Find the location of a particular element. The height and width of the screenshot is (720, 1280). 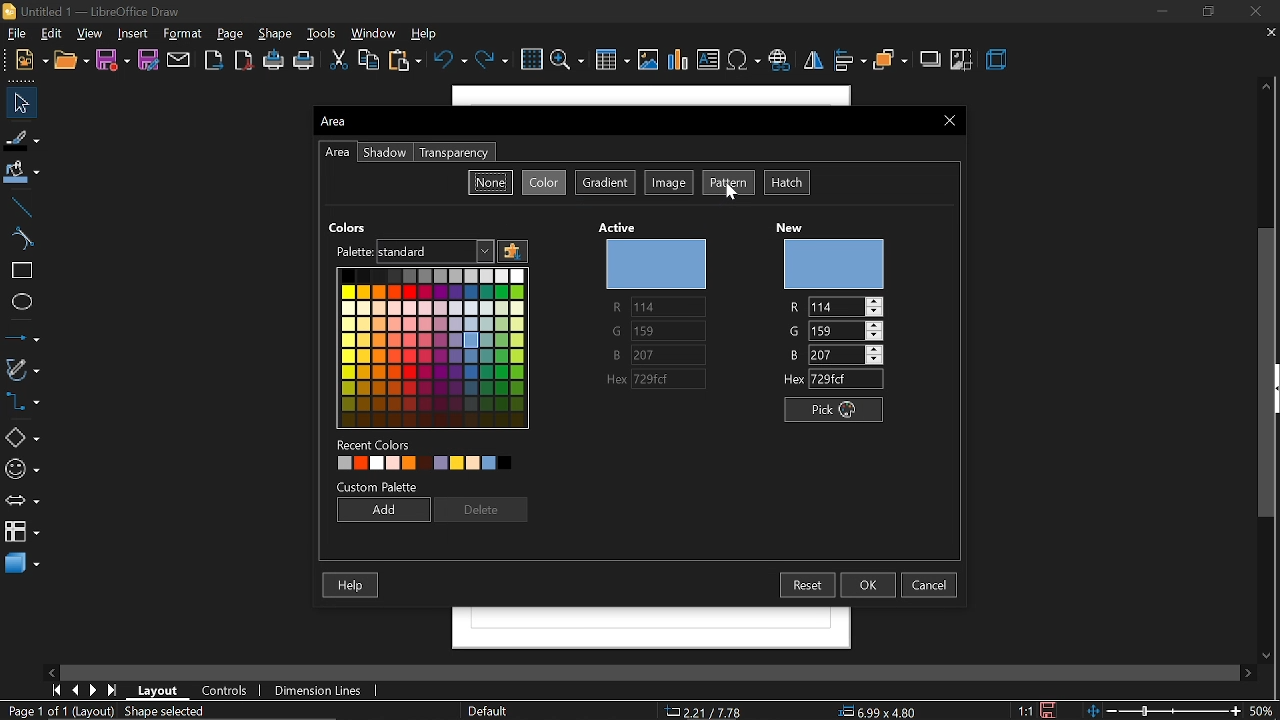

207 is located at coordinates (663, 354).